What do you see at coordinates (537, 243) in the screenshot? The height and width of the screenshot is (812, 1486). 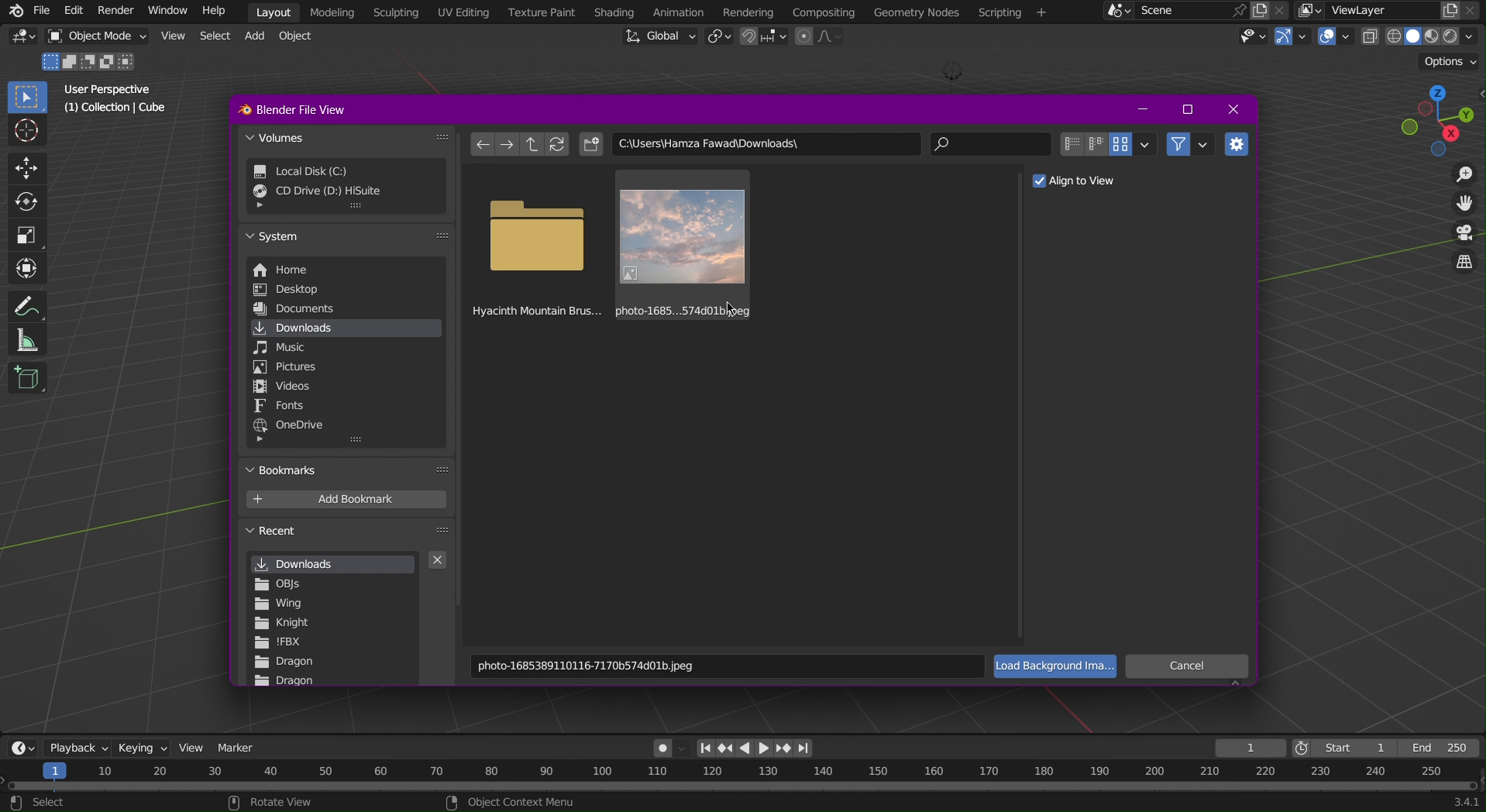 I see `hyacinth mountain brus...` at bounding box center [537, 243].